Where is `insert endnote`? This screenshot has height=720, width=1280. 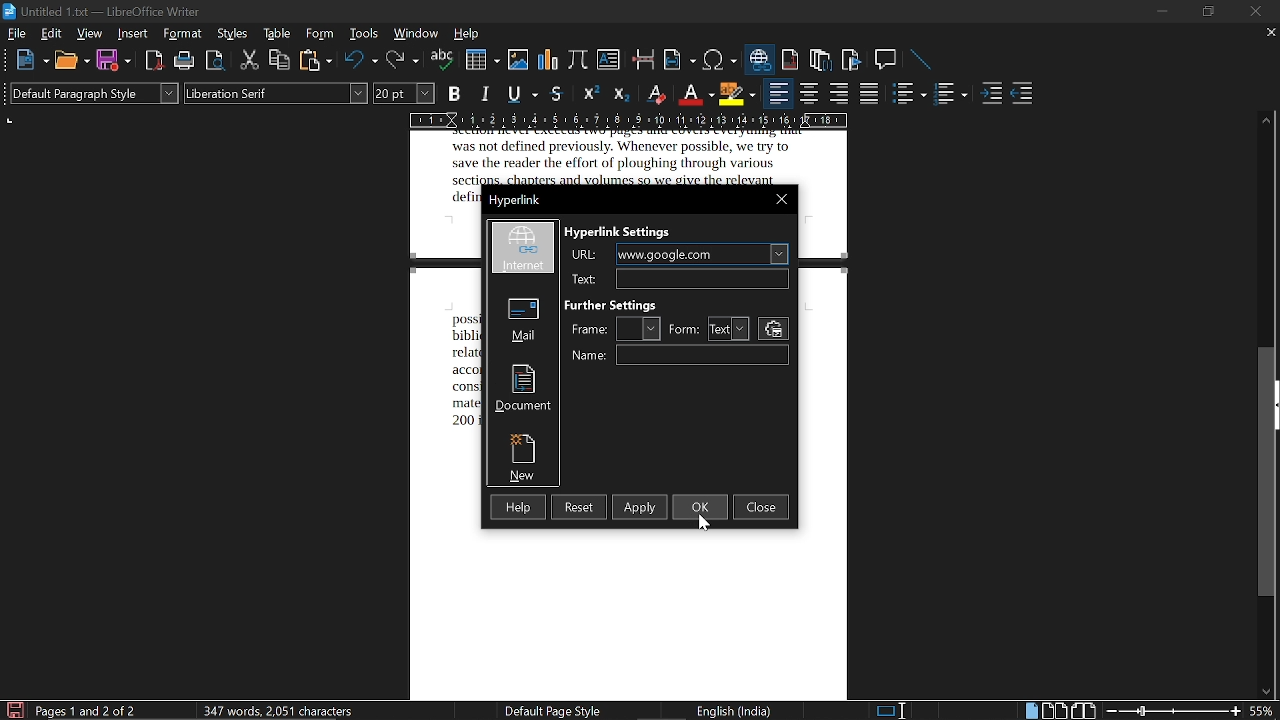
insert endnote is located at coordinates (821, 61).